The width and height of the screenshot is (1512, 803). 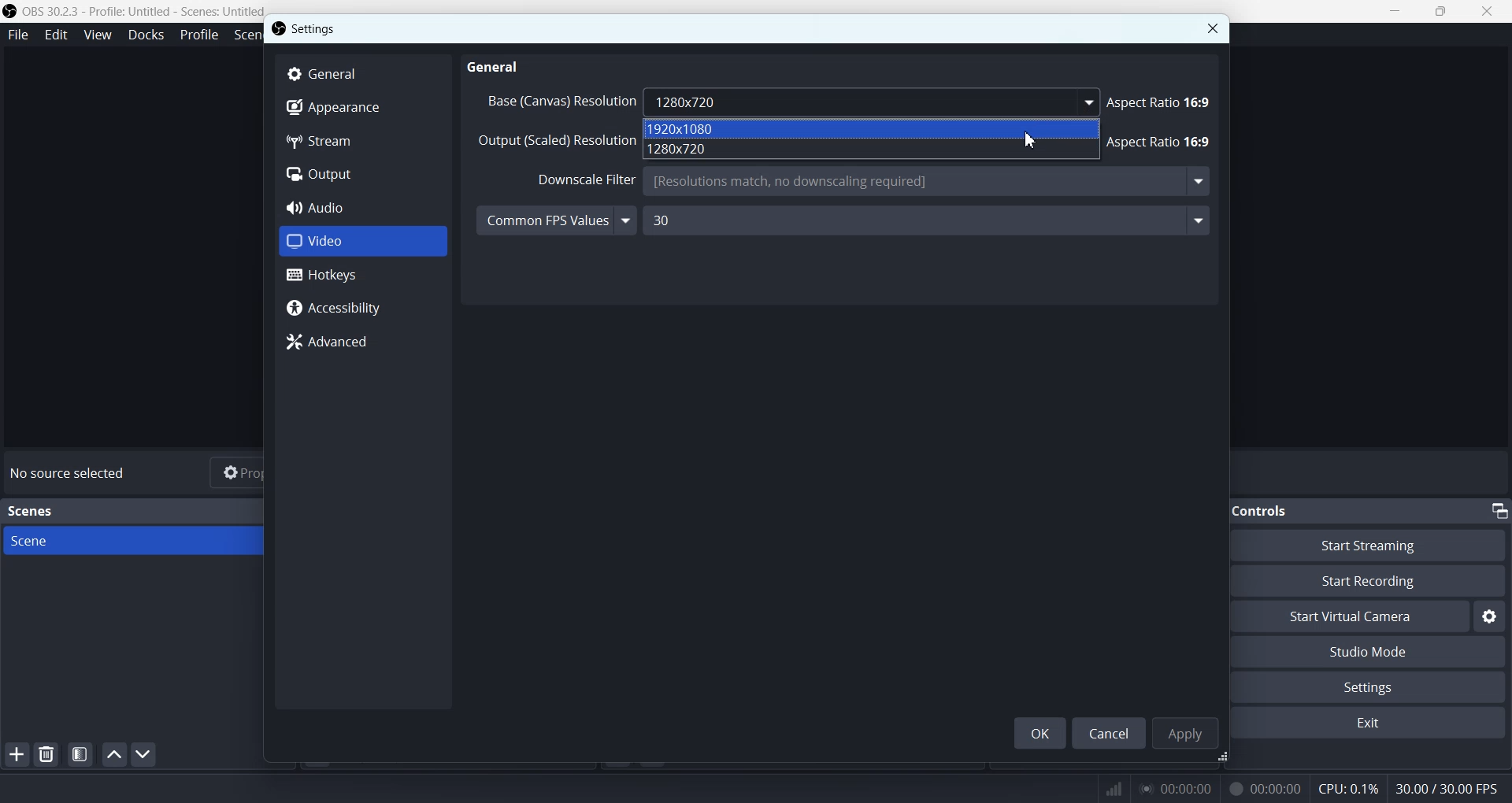 What do you see at coordinates (362, 174) in the screenshot?
I see `Output` at bounding box center [362, 174].